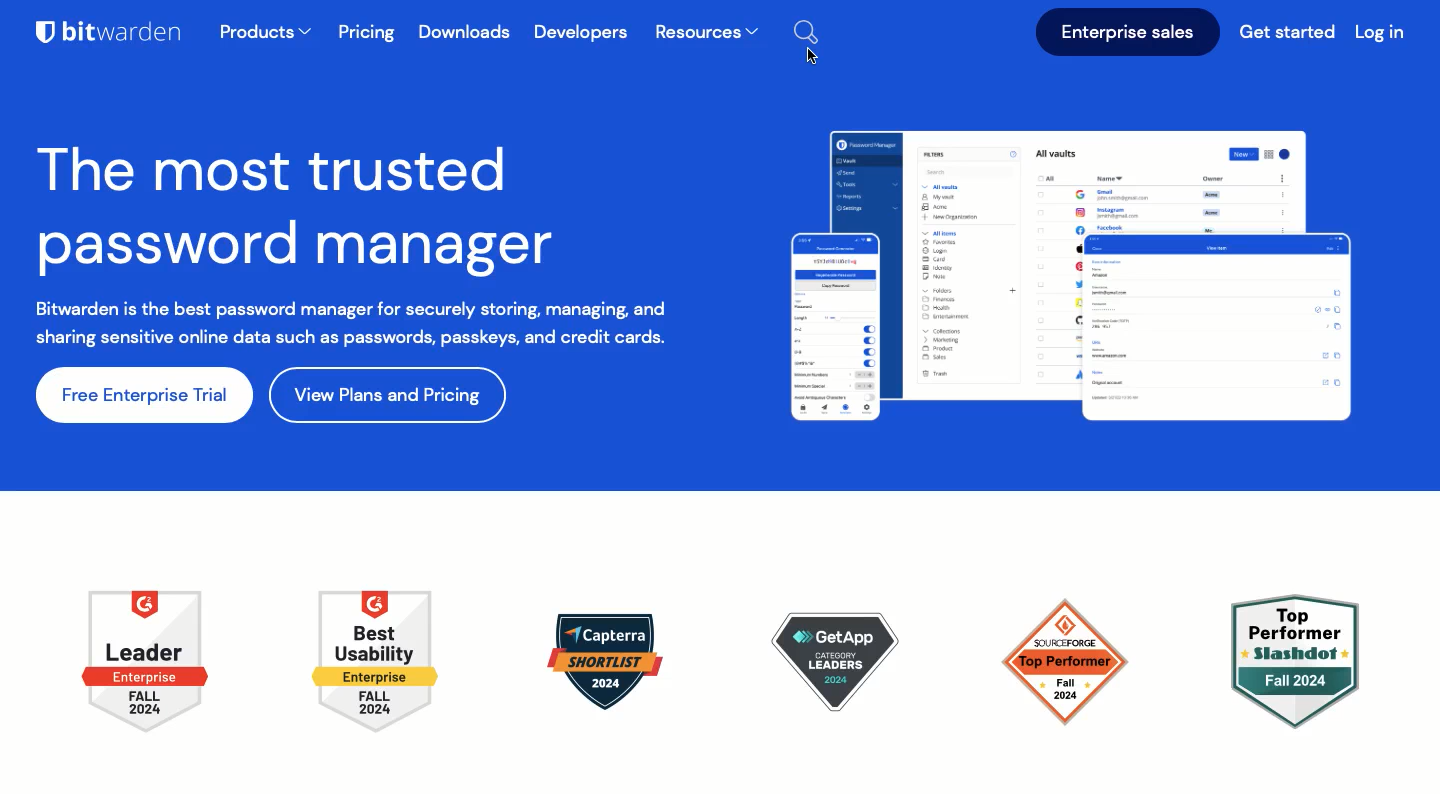 This screenshot has width=1440, height=794. What do you see at coordinates (117, 36) in the screenshot?
I see `Bitwarden` at bounding box center [117, 36].